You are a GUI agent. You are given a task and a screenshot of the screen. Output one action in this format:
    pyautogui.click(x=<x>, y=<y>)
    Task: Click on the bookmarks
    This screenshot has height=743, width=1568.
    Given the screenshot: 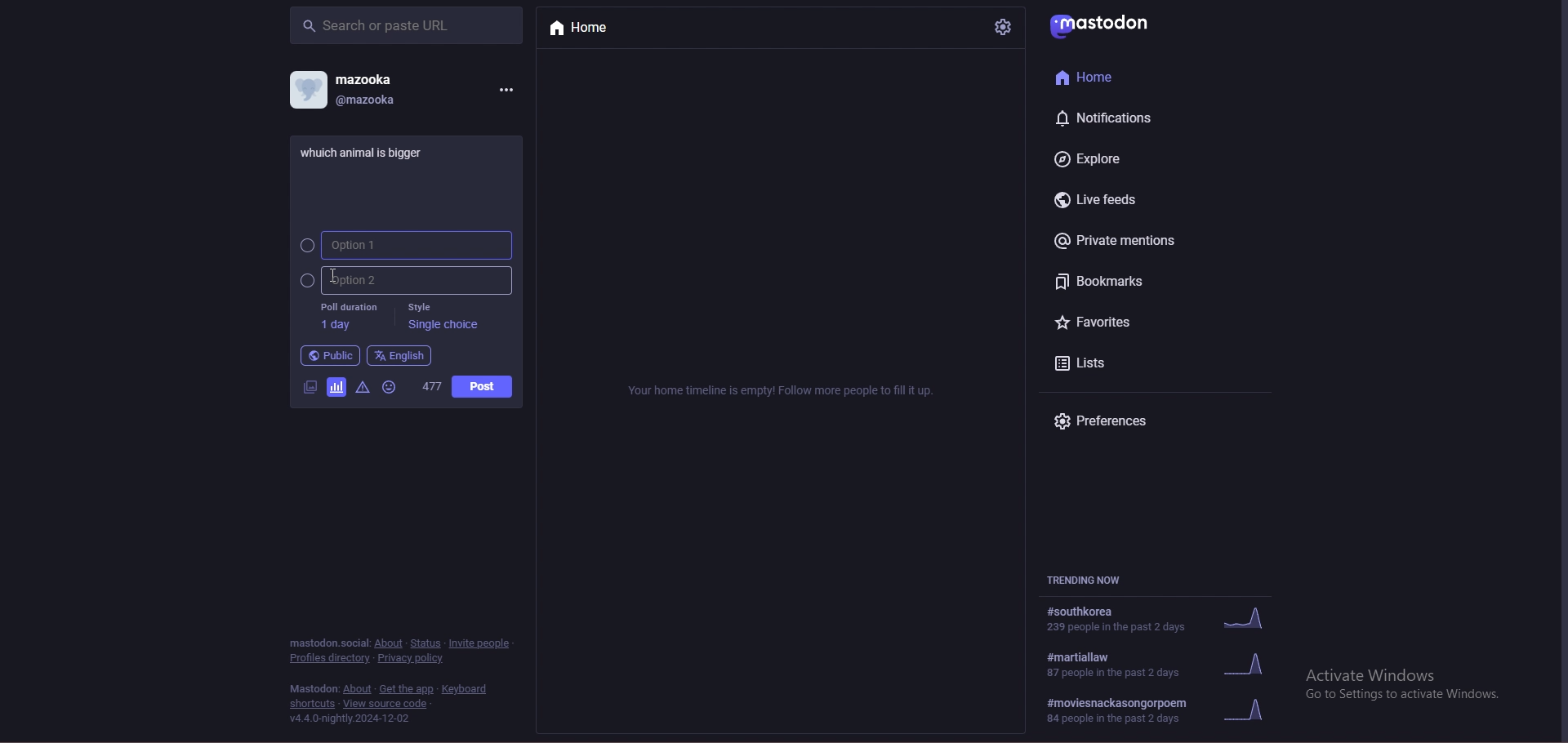 What is the action you would take?
    pyautogui.click(x=1126, y=281)
    